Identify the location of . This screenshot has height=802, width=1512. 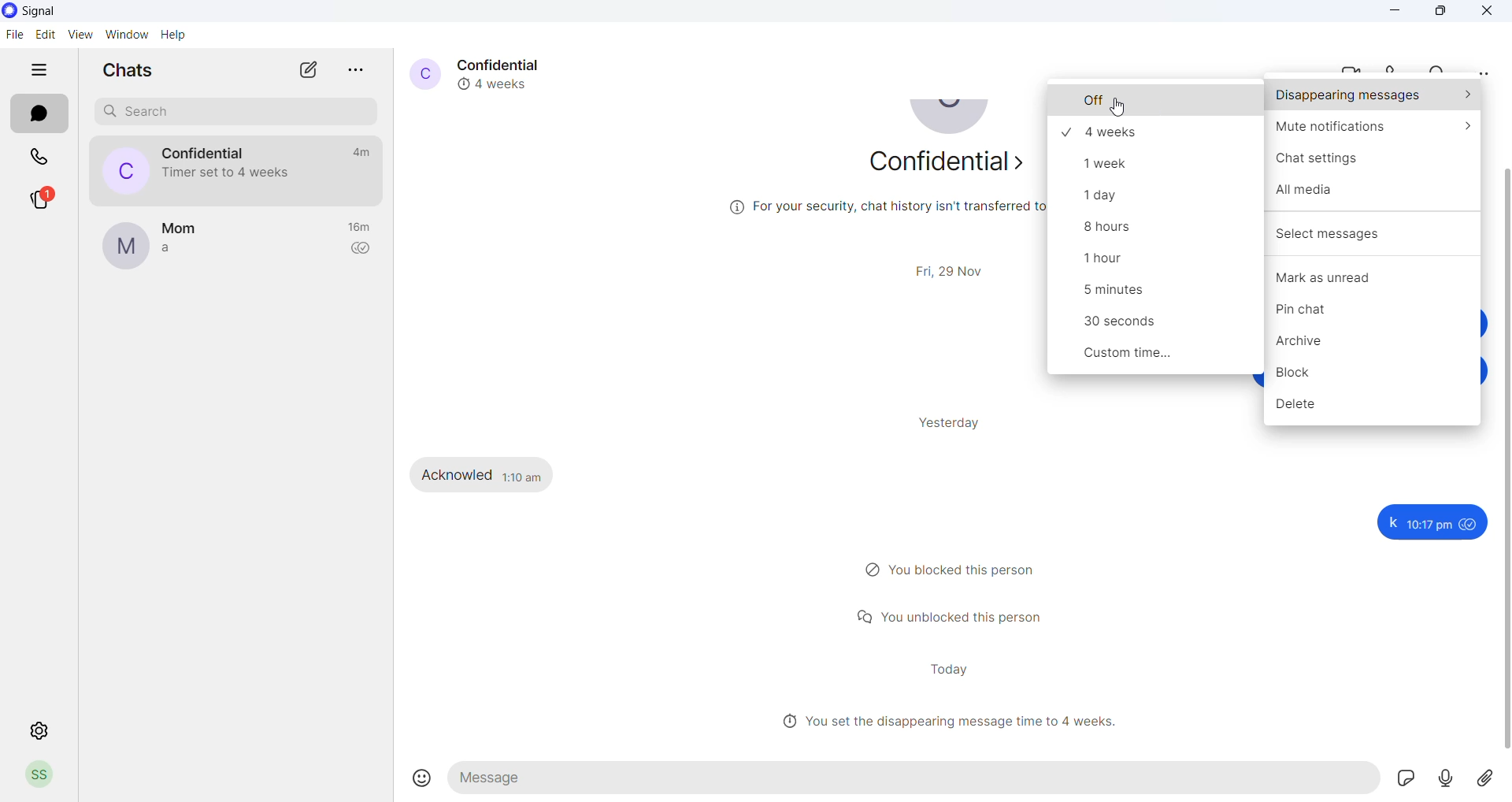
(1447, 780).